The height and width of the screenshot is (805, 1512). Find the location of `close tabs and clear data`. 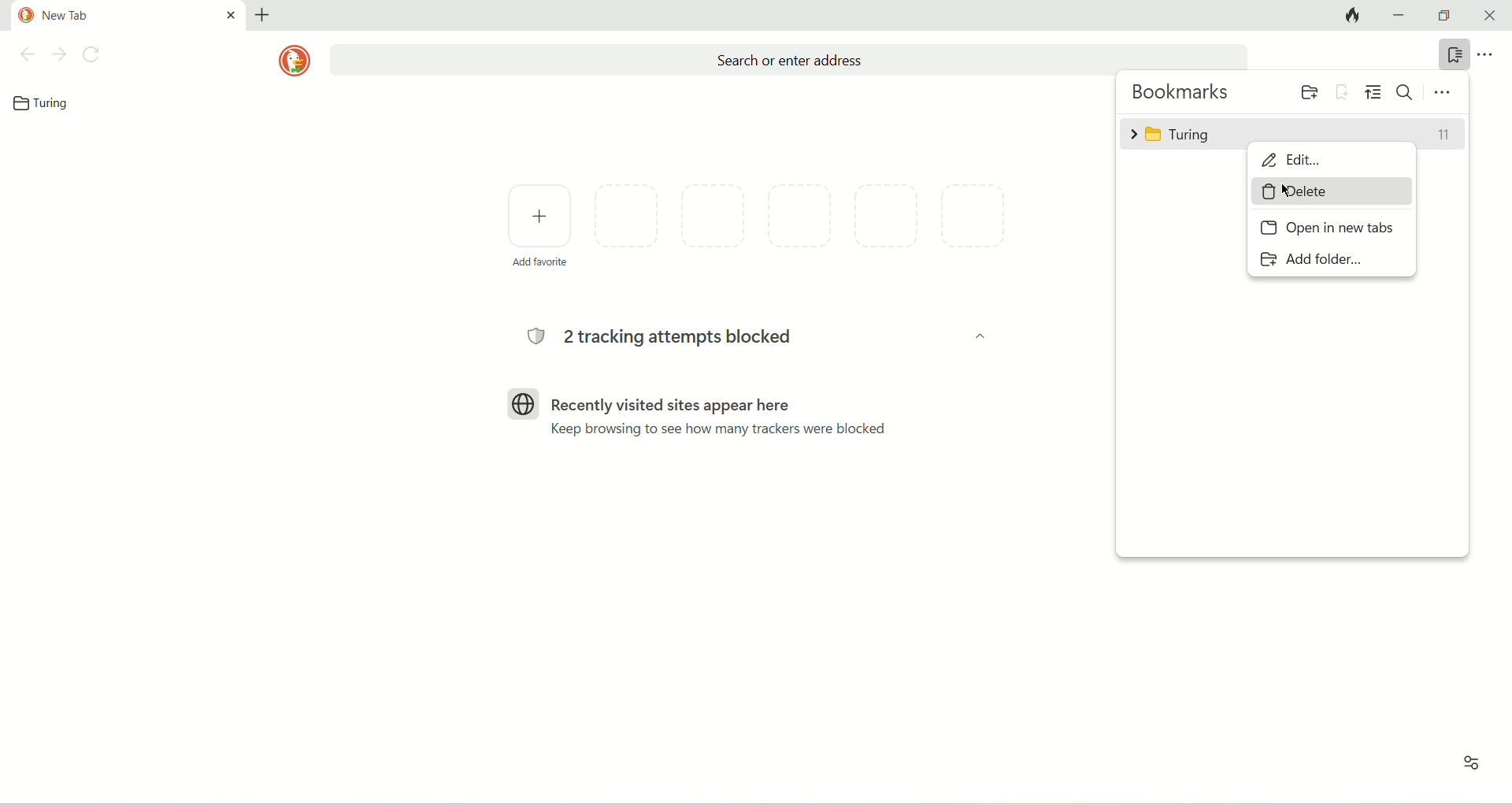

close tabs and clear data is located at coordinates (1348, 16).